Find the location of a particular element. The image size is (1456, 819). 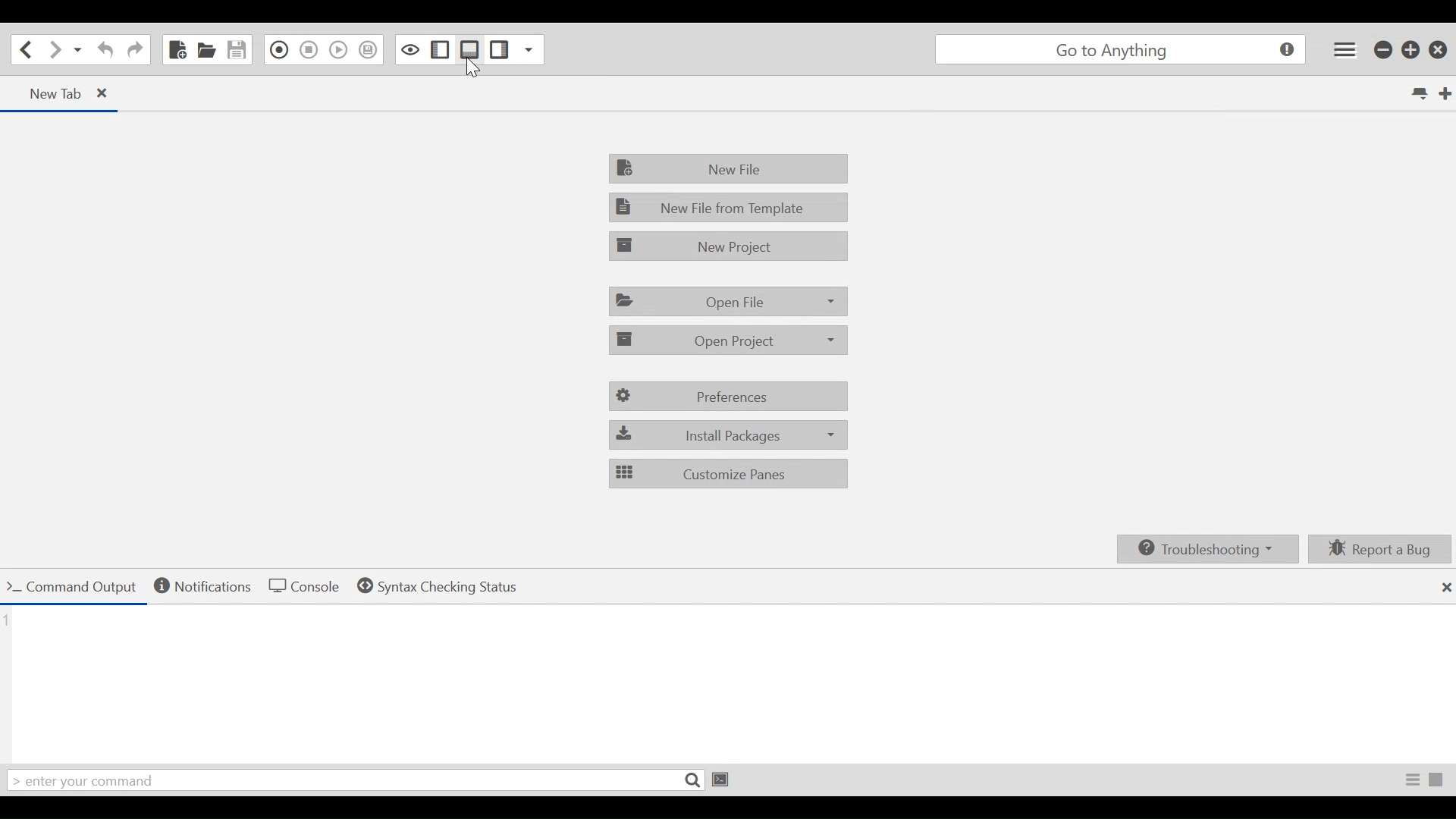

Recent locations is located at coordinates (78, 49).